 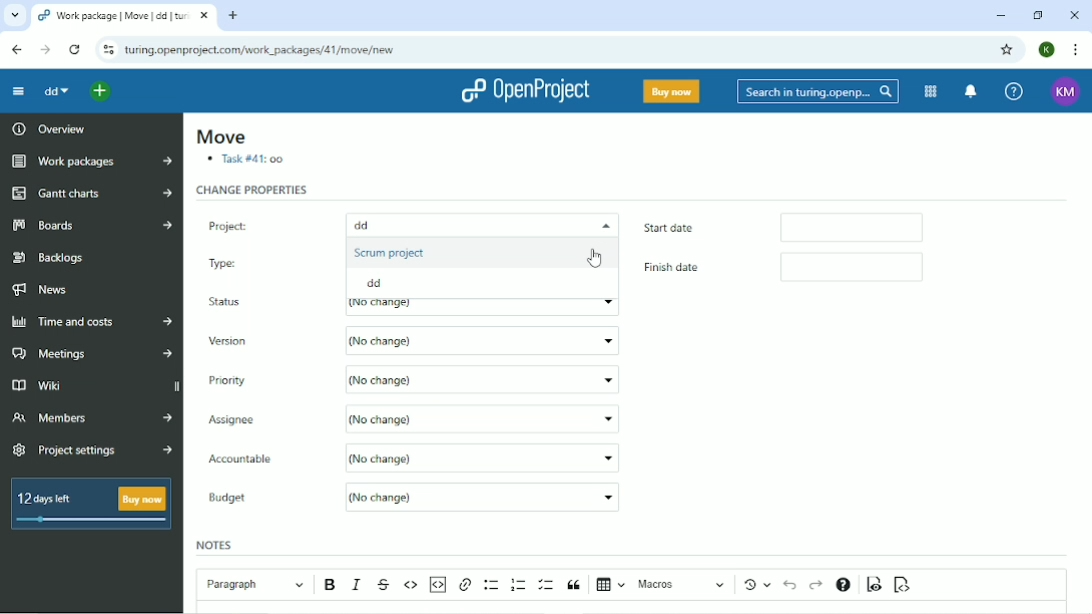 I want to click on Project settings, so click(x=92, y=451).